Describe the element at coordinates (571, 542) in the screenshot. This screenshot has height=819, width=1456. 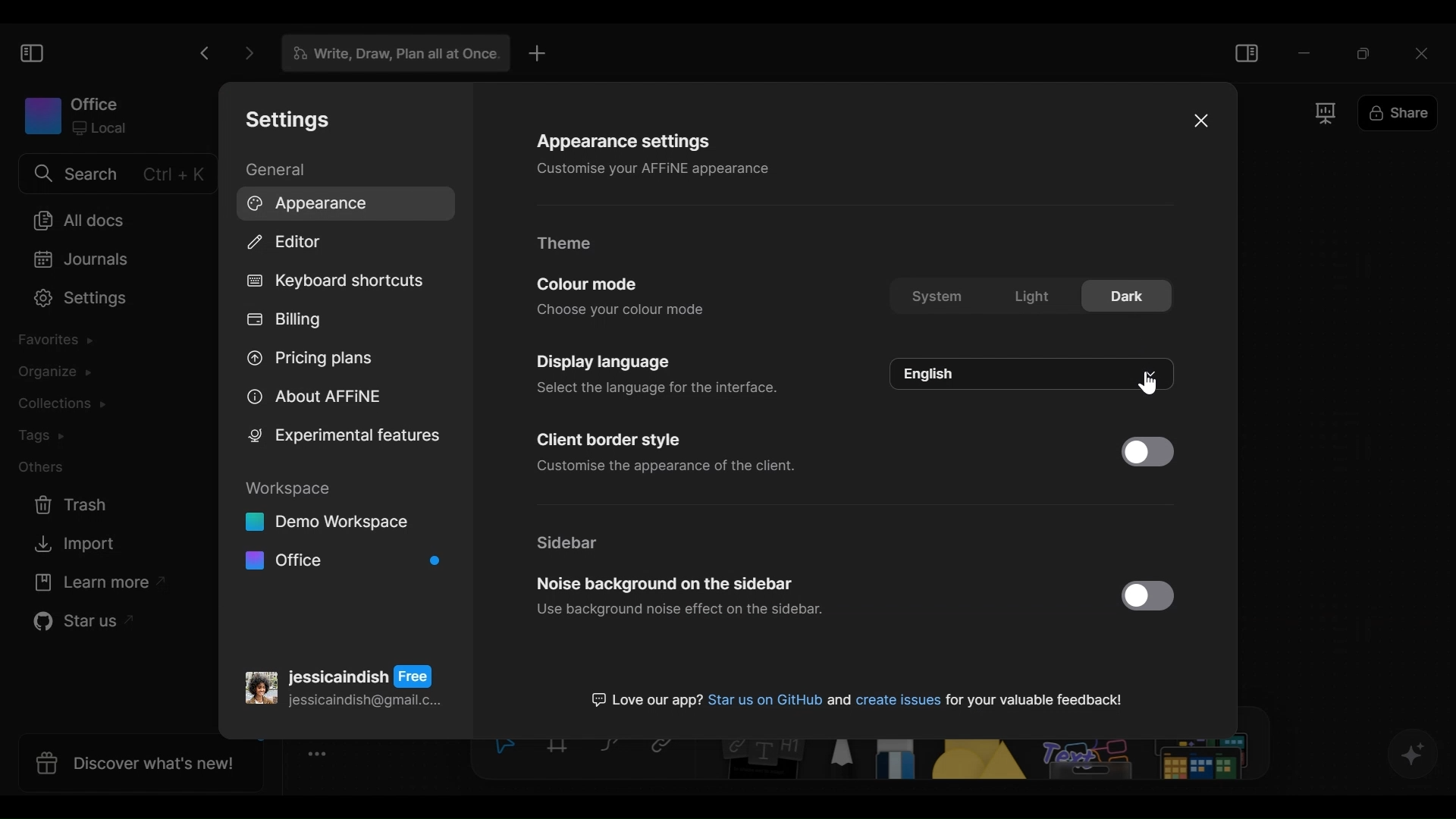
I see `Sidebar` at that location.